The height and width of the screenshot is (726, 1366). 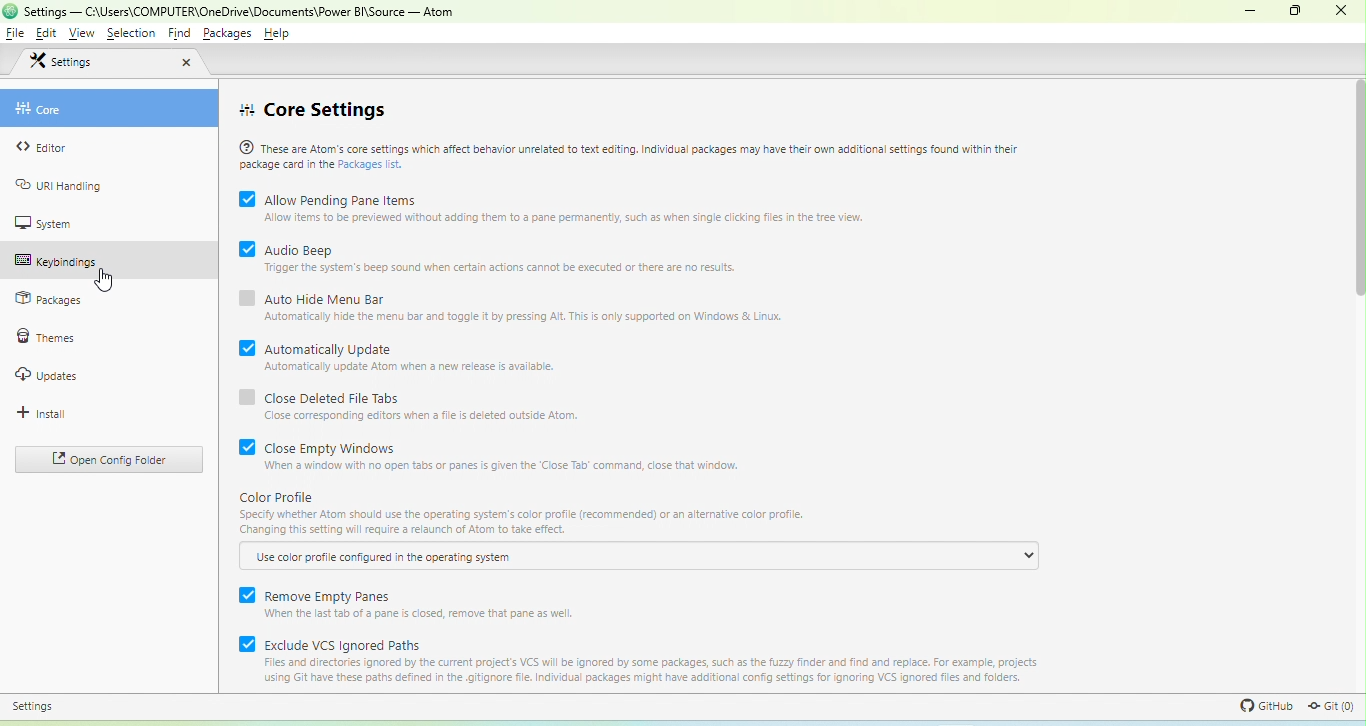 What do you see at coordinates (48, 300) in the screenshot?
I see `packages` at bounding box center [48, 300].